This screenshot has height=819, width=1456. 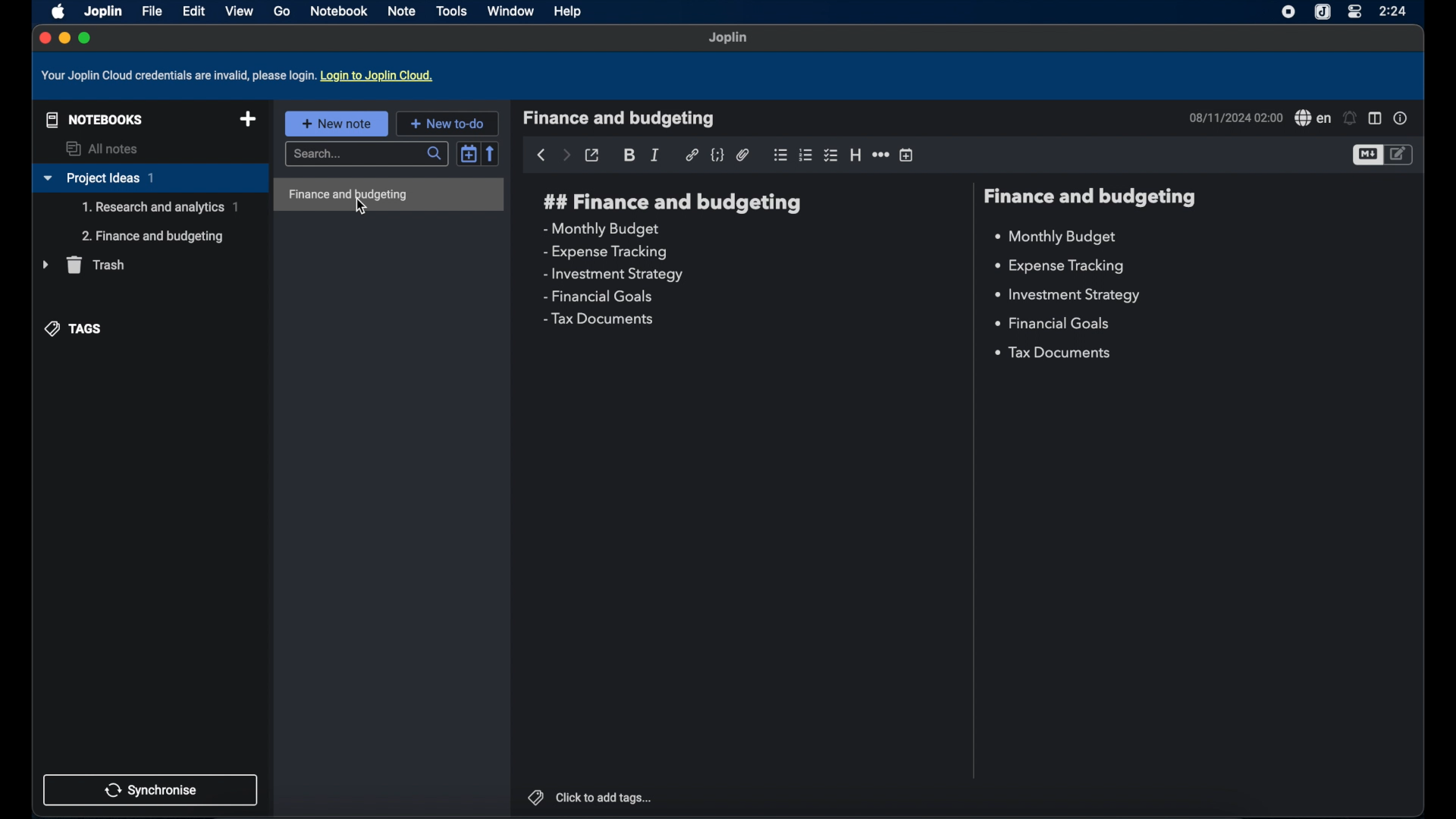 What do you see at coordinates (155, 236) in the screenshot?
I see `sub-notebook(Finance and budgeting)` at bounding box center [155, 236].